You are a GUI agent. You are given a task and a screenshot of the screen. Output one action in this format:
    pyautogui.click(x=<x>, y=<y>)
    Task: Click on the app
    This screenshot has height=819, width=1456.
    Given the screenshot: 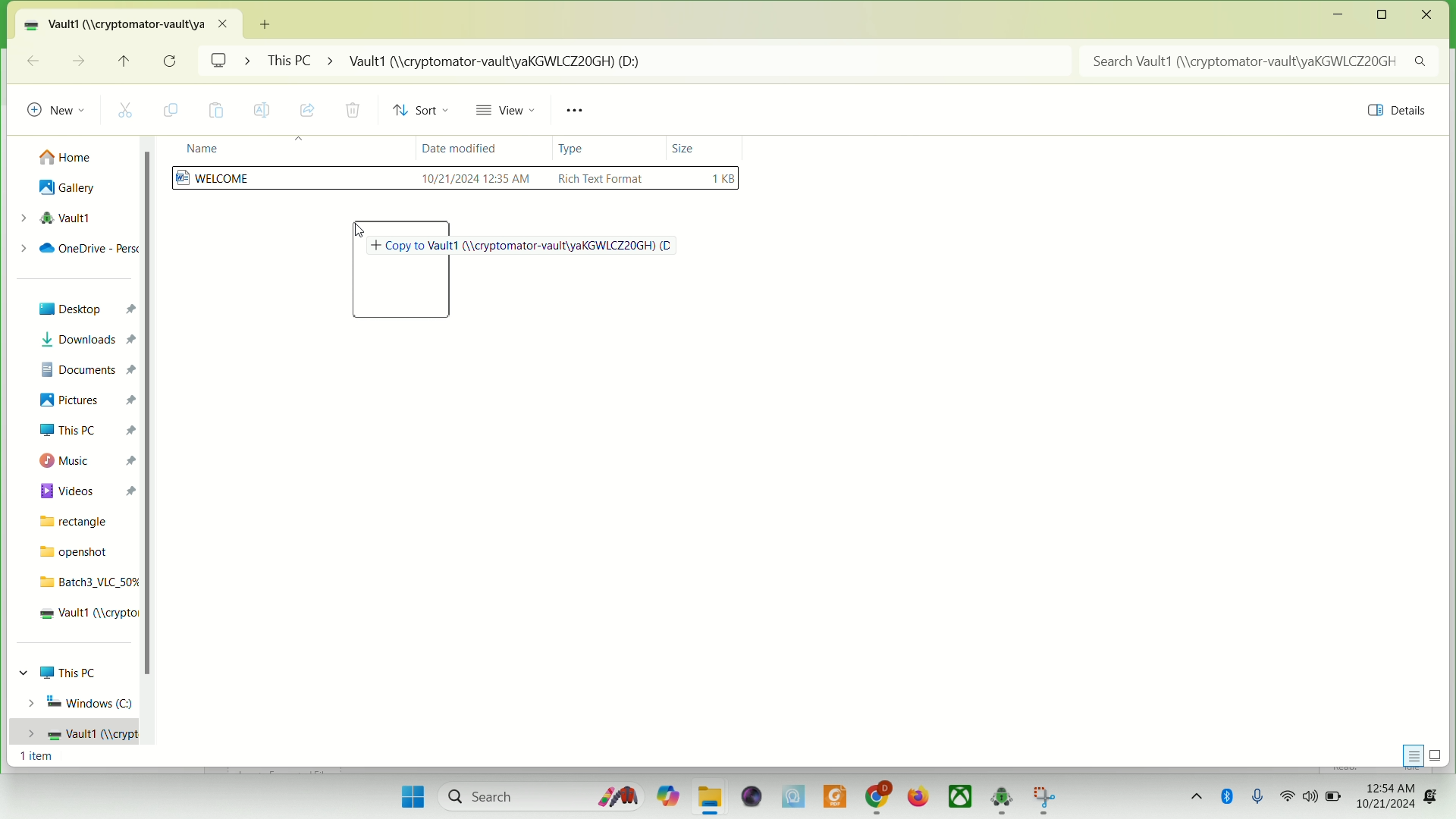 What is the action you would take?
    pyautogui.click(x=1043, y=799)
    